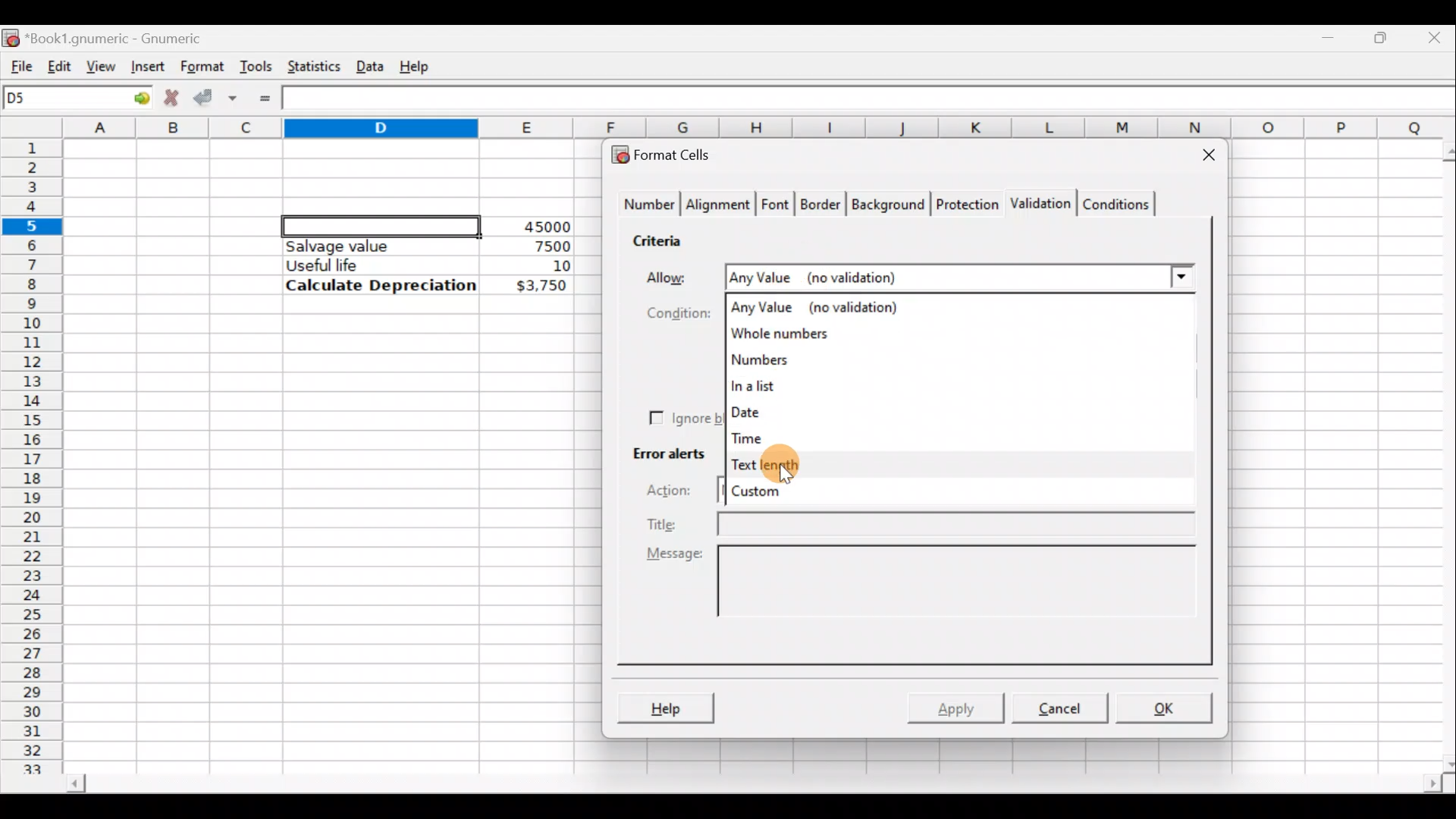 This screenshot has height=819, width=1456. What do you see at coordinates (1332, 34) in the screenshot?
I see `Minimize` at bounding box center [1332, 34].